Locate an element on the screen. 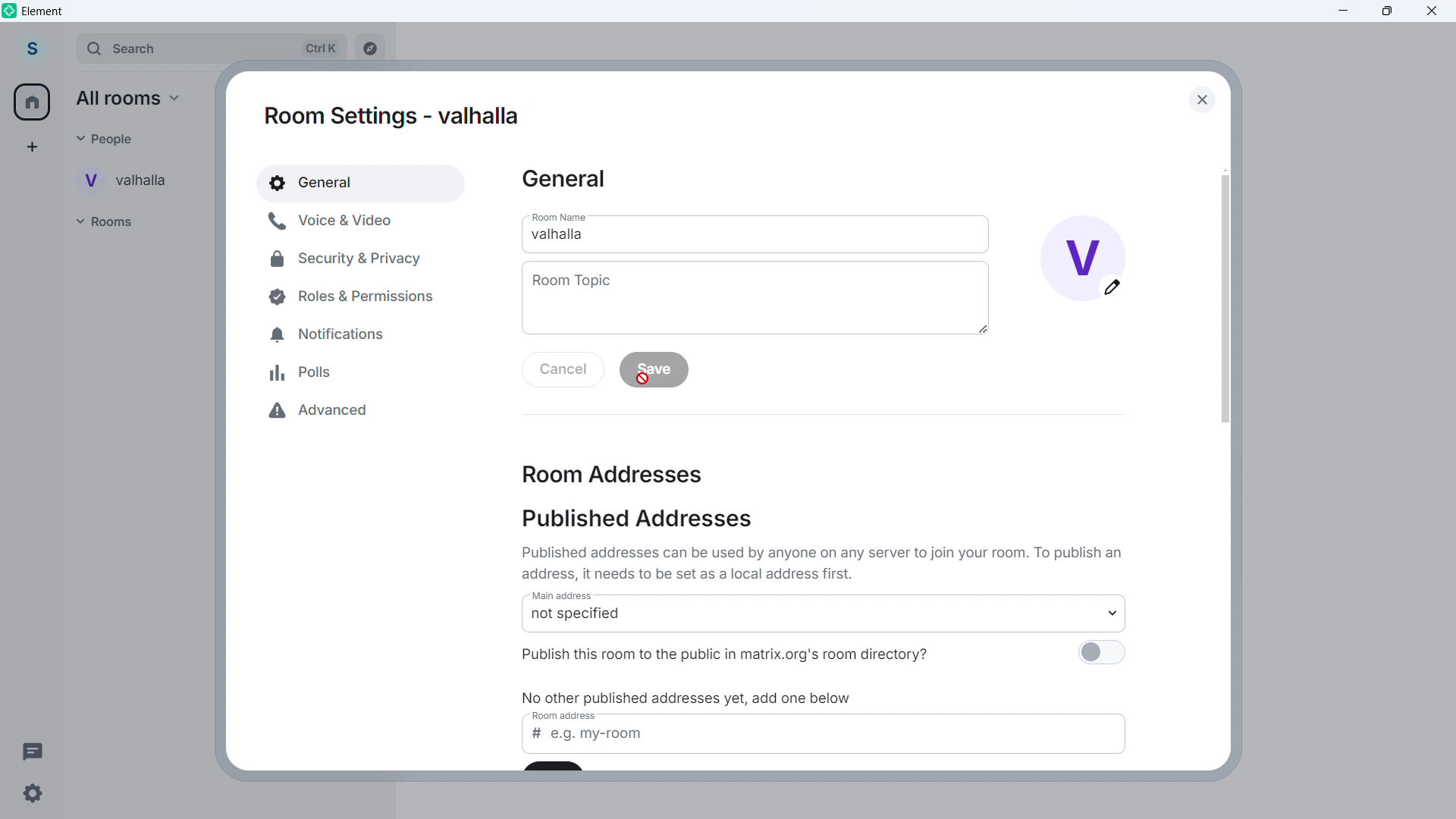  room address  is located at coordinates (568, 717).